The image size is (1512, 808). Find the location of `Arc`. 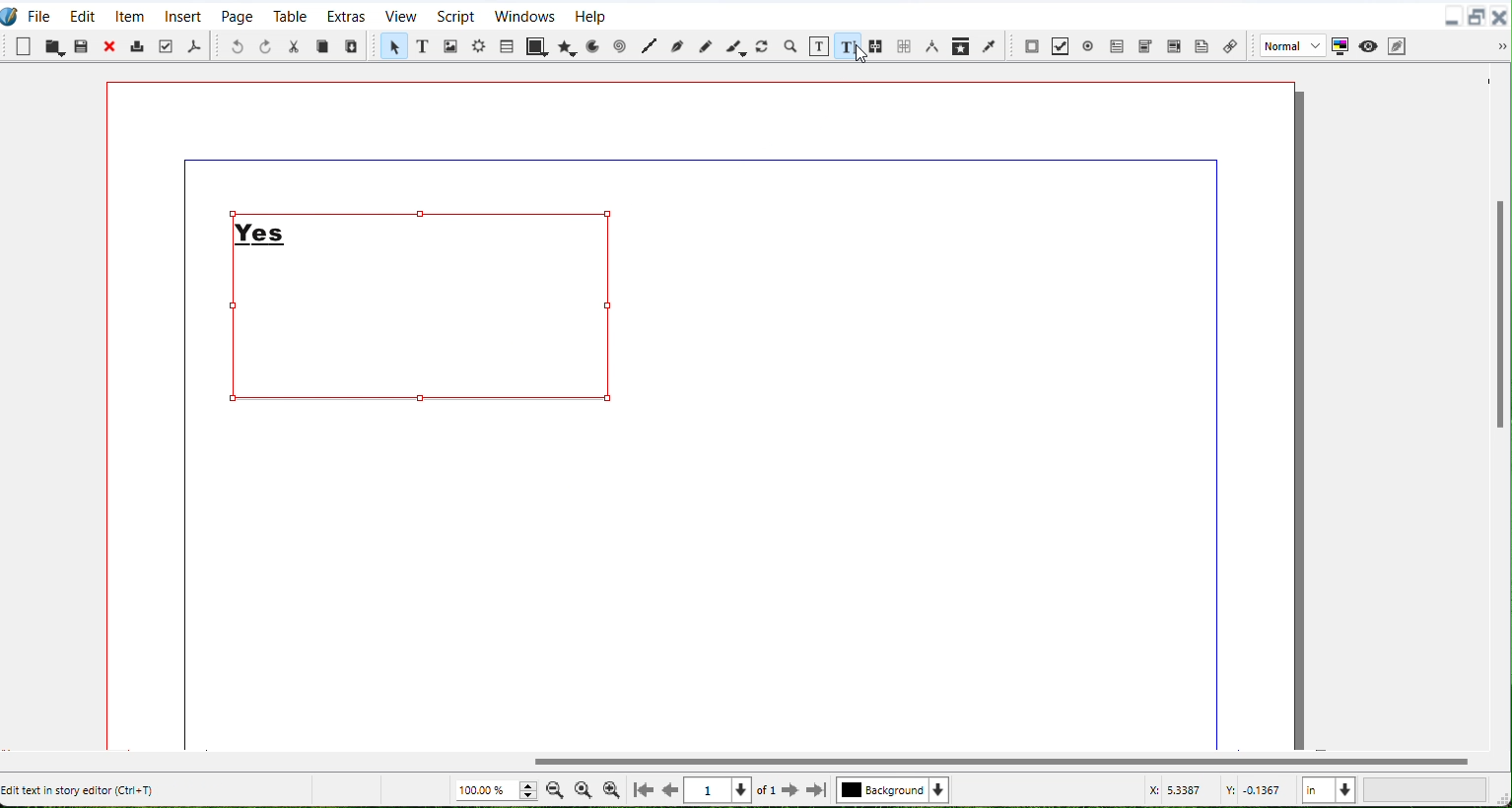

Arc is located at coordinates (592, 45).